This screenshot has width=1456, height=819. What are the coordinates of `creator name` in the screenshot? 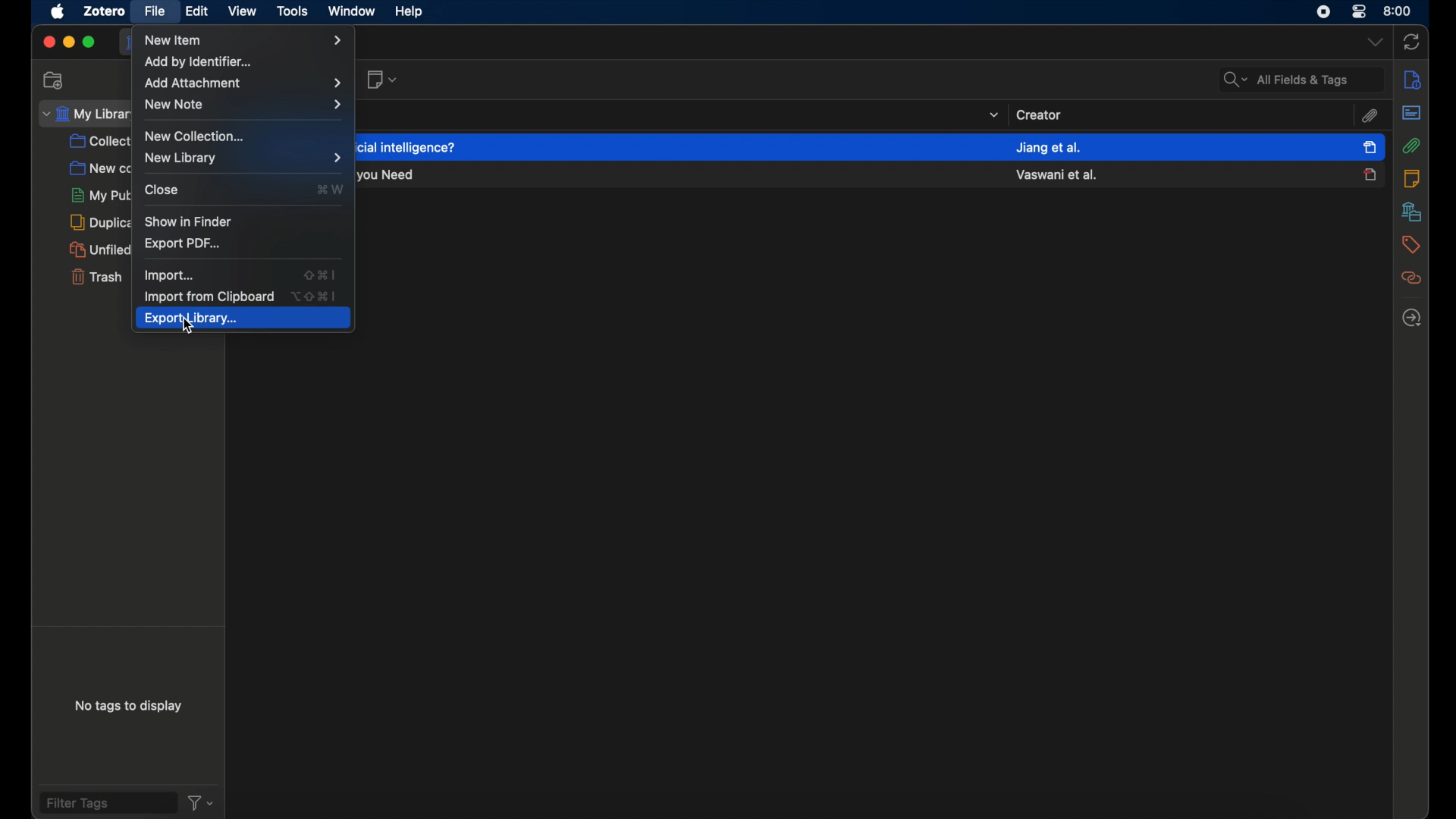 It's located at (1057, 174).